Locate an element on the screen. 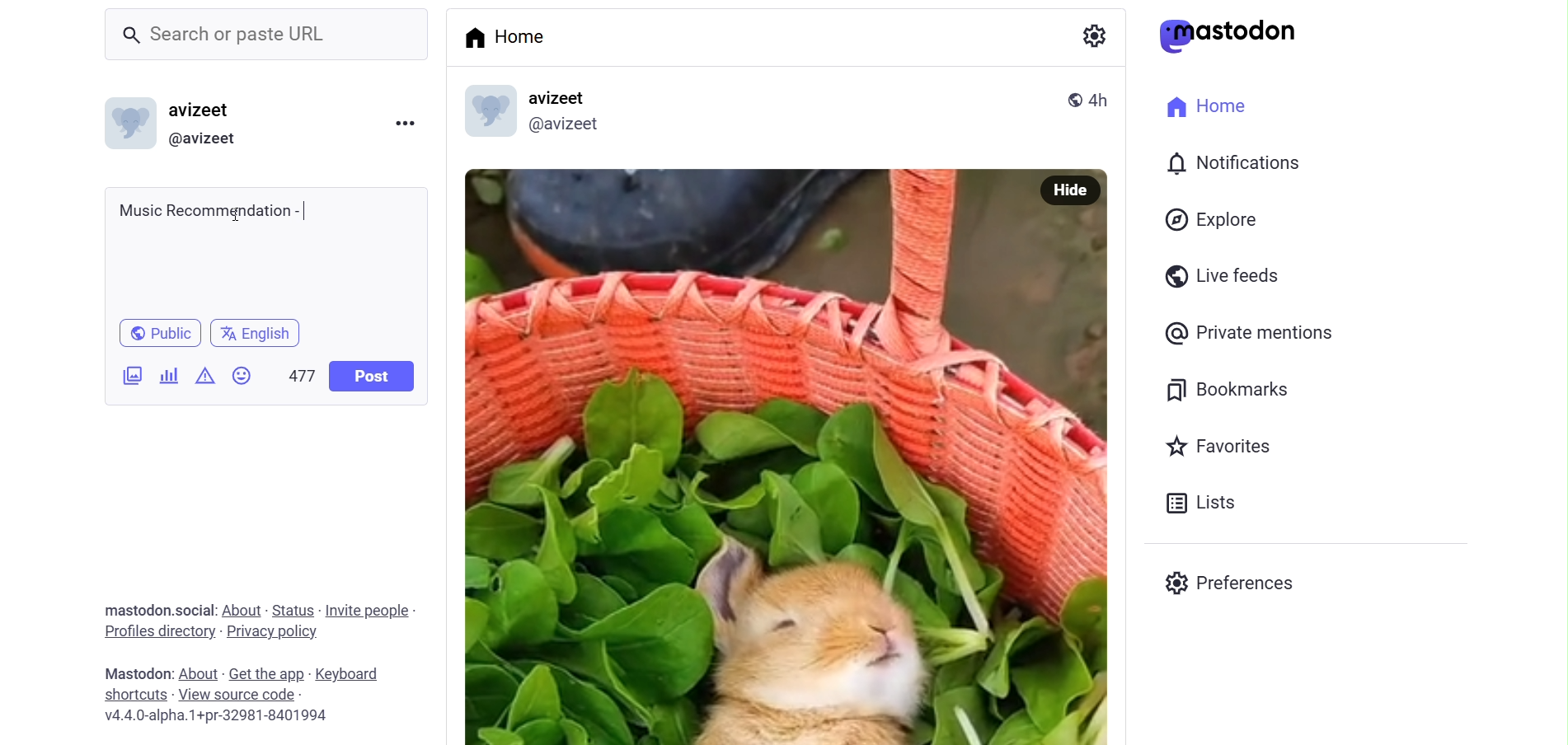  social is located at coordinates (195, 609).